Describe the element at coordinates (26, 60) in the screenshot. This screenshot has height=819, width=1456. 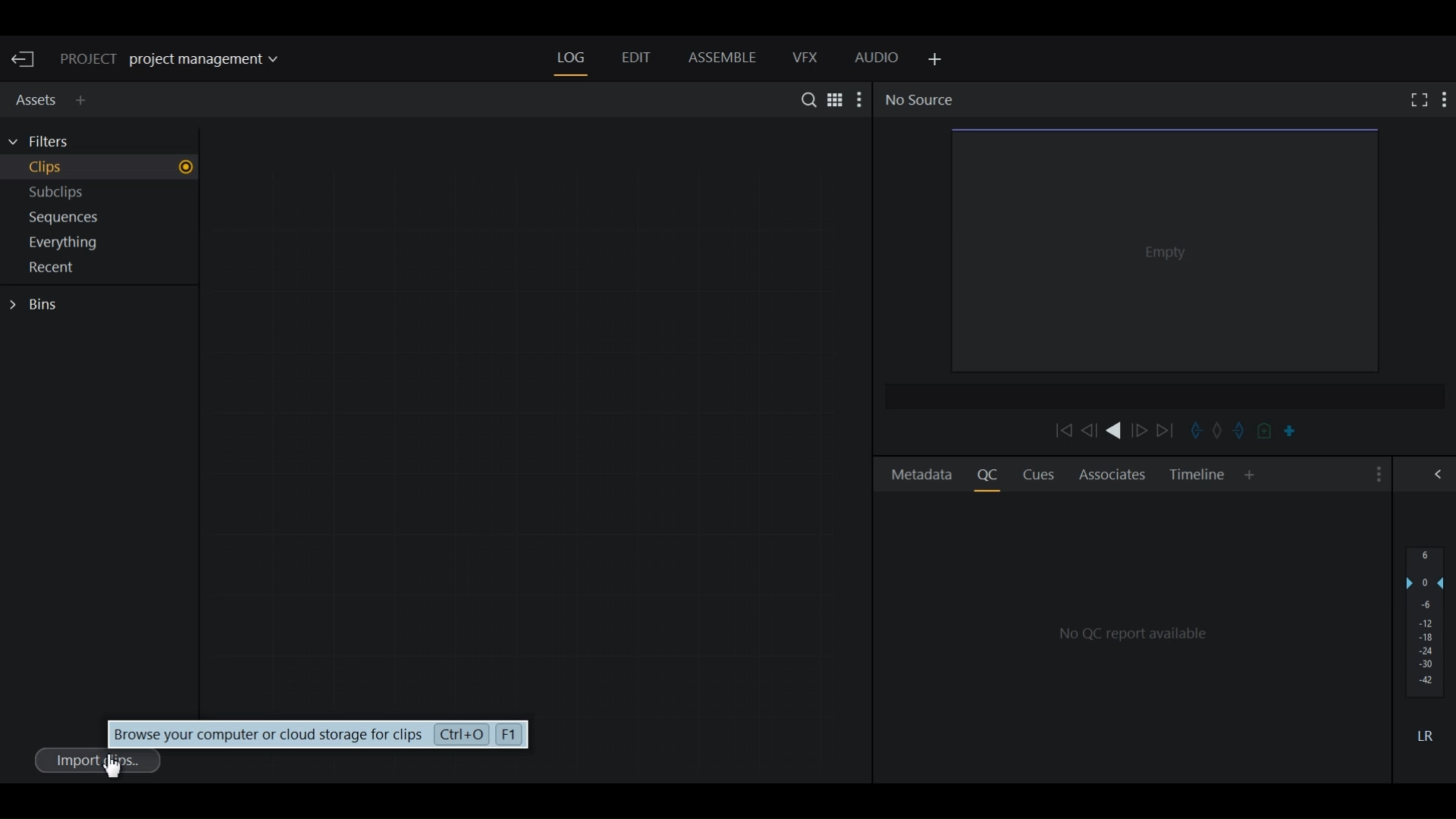
I see `Exit Current Project` at that location.